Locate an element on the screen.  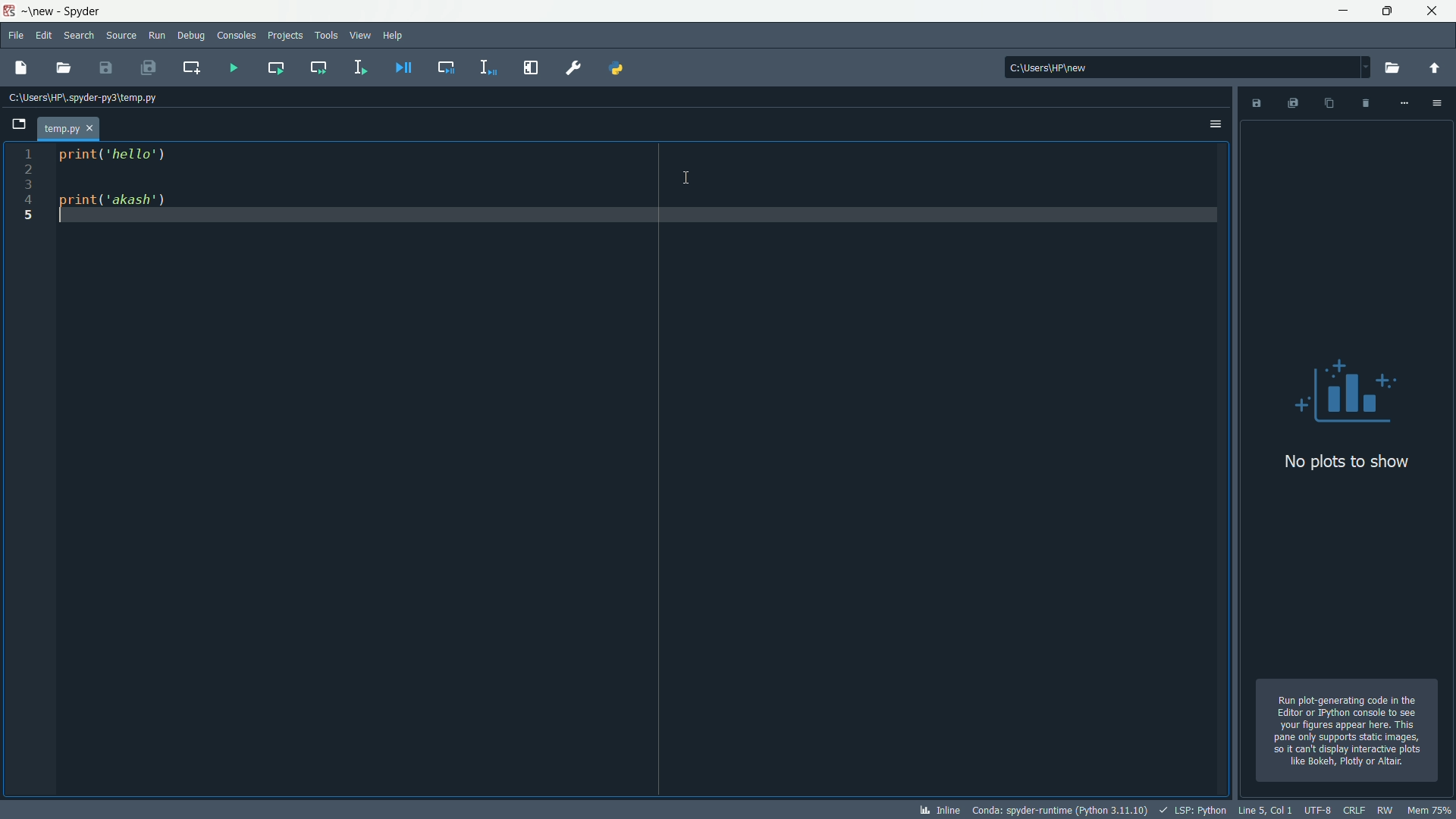
Ci\Users\HP\new is located at coordinates (1170, 67).